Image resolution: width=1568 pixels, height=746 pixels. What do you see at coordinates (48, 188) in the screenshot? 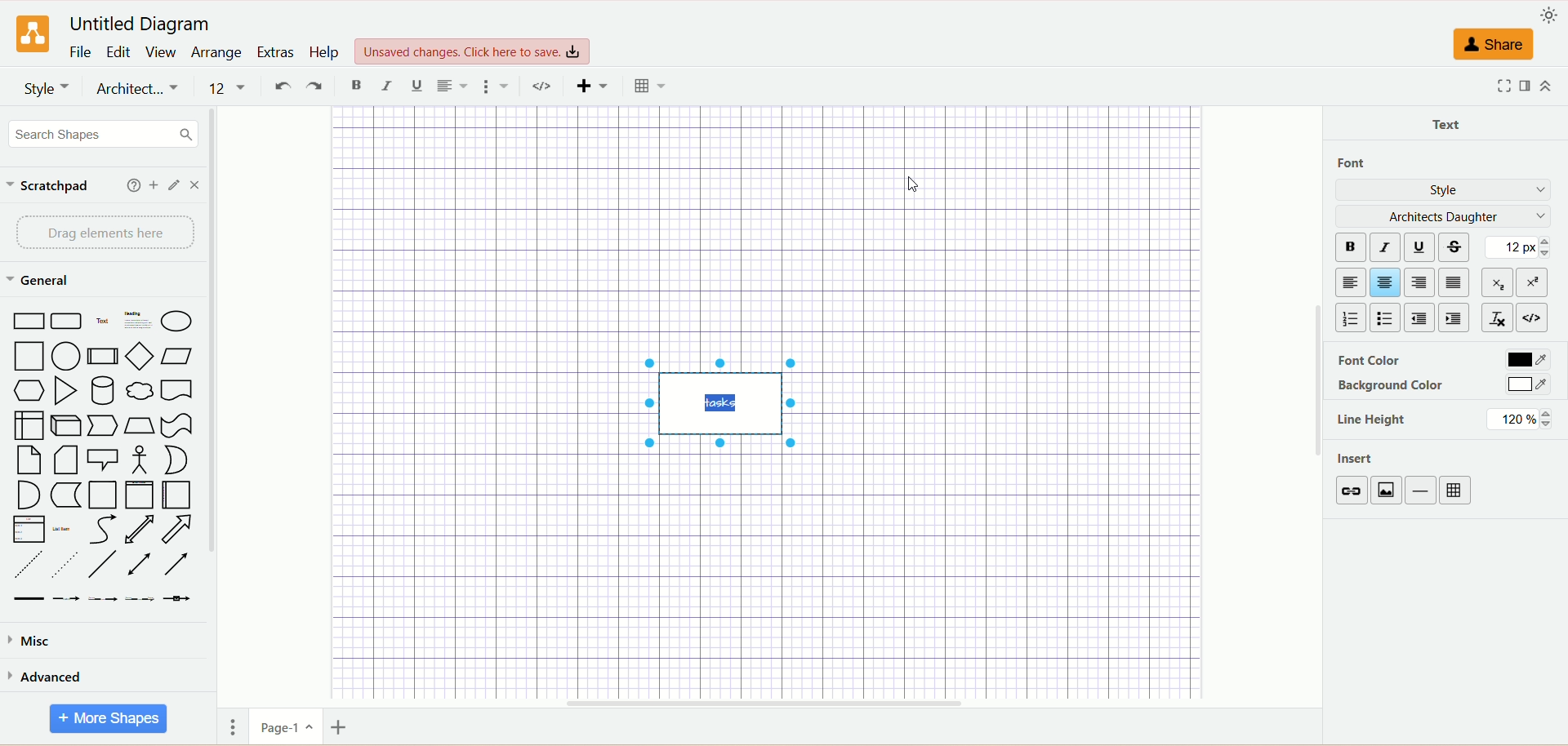
I see `scratchpad` at bounding box center [48, 188].